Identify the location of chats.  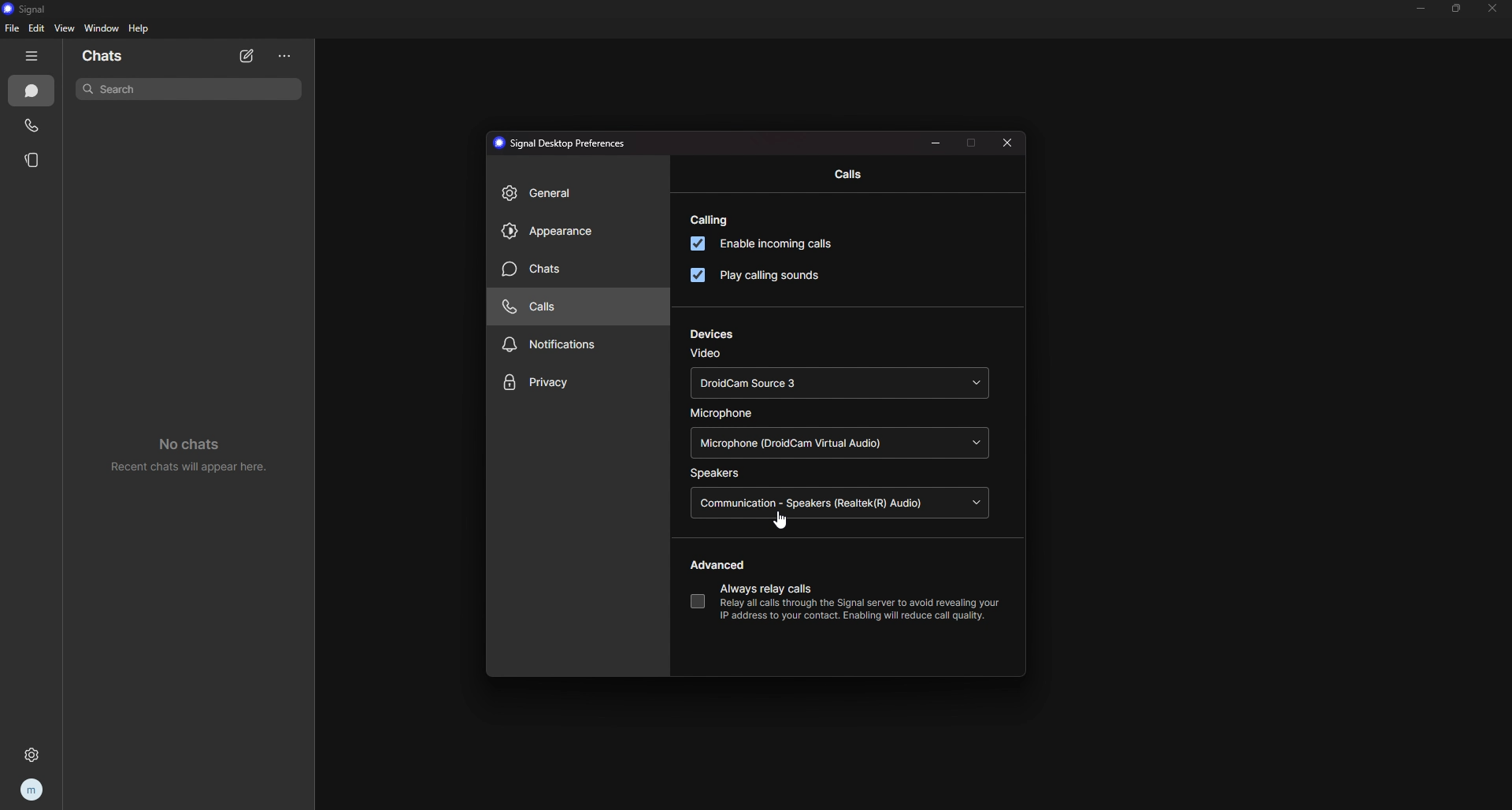
(570, 269).